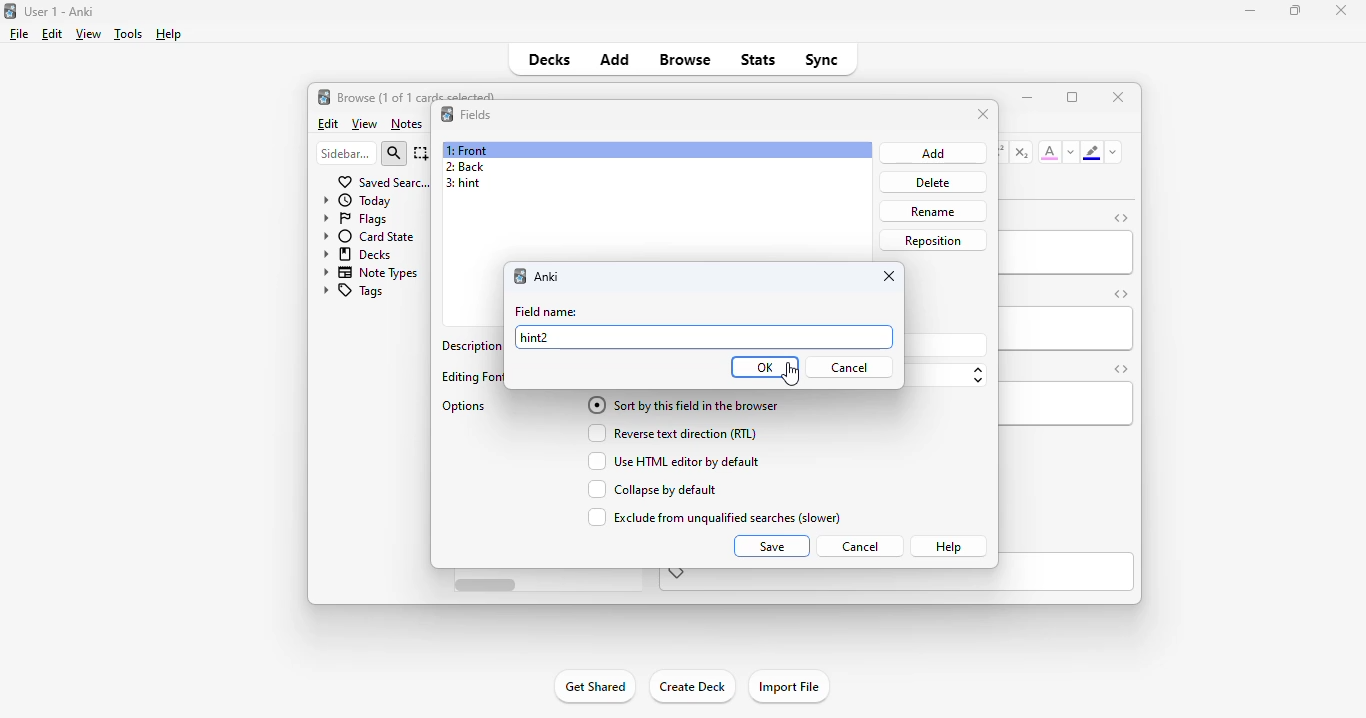  Describe the element at coordinates (546, 276) in the screenshot. I see `anki` at that location.